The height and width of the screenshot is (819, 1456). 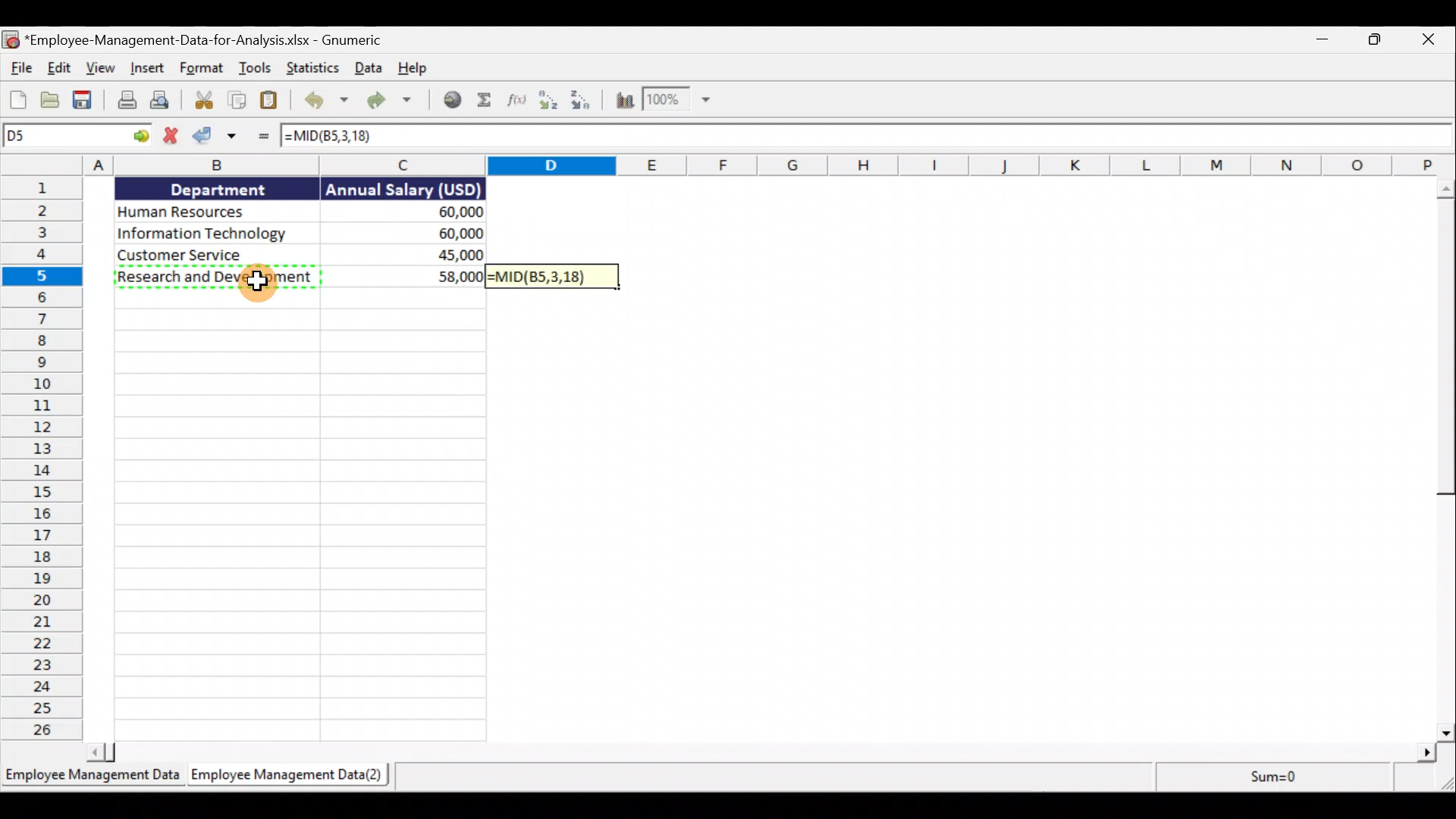 I want to click on sum=0, so click(x=1267, y=777).